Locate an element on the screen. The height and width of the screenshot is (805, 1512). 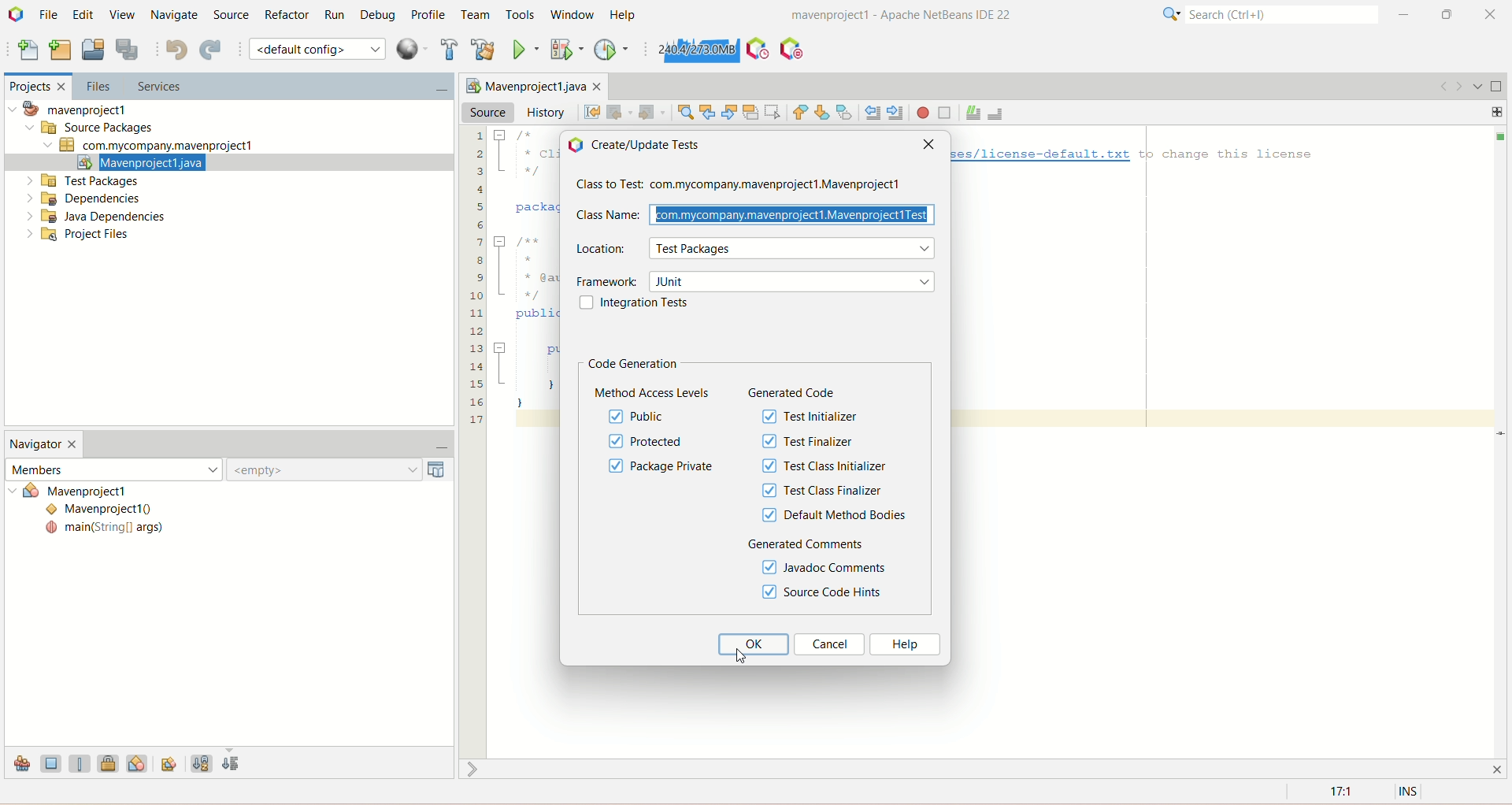
project files is located at coordinates (87, 235).